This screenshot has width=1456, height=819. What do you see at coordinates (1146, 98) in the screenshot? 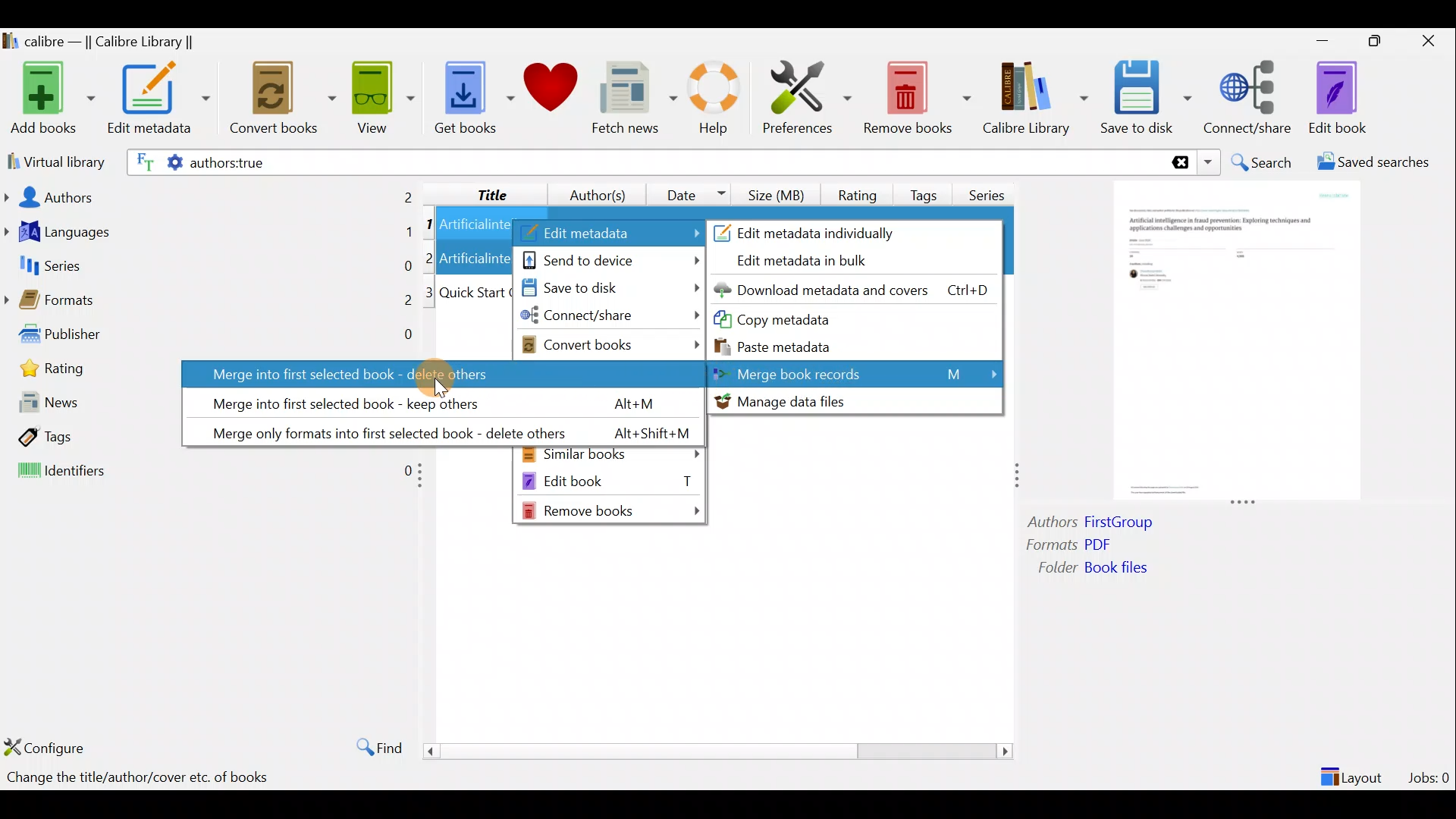
I see `Save to disk` at bounding box center [1146, 98].